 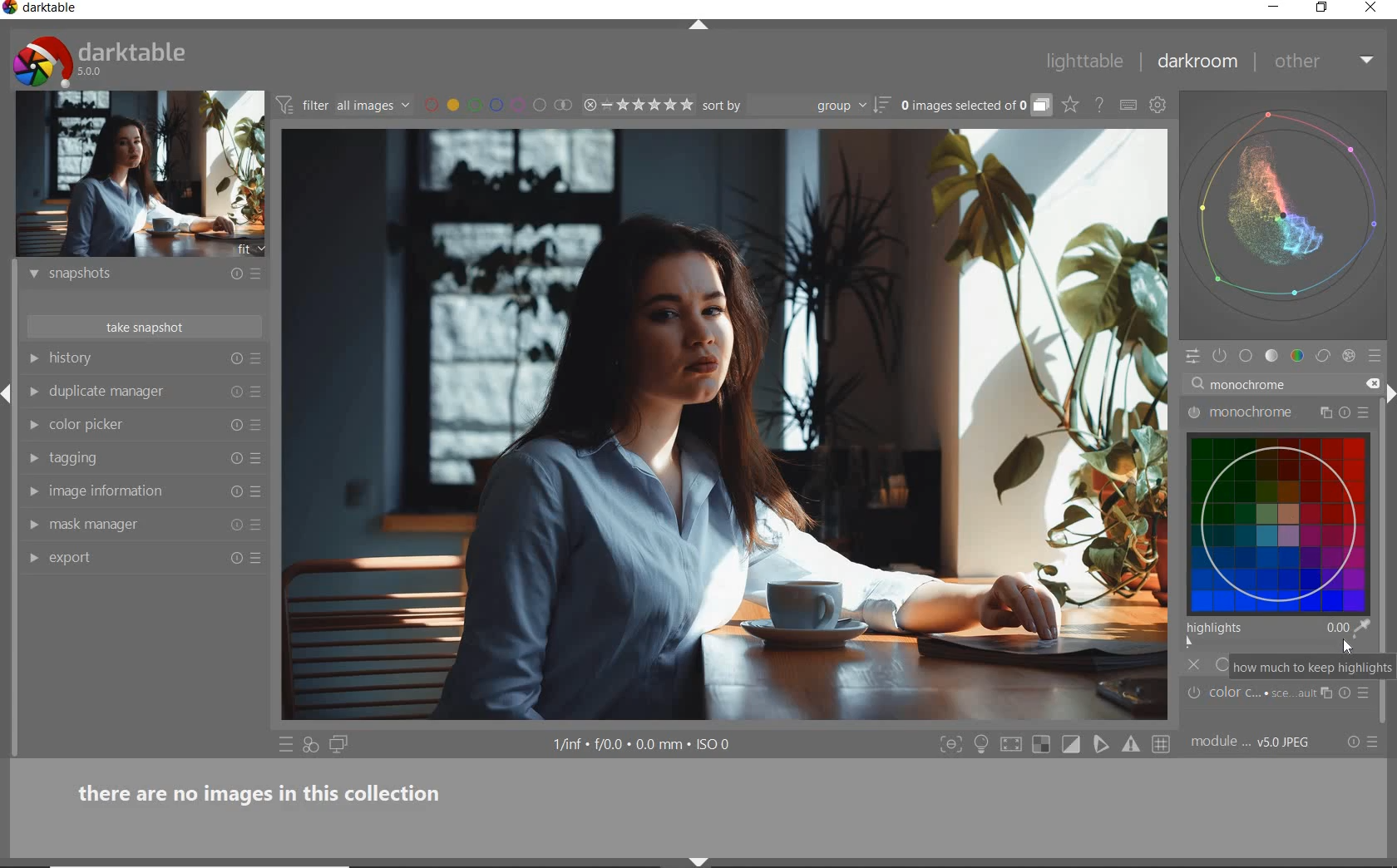 What do you see at coordinates (131, 277) in the screenshot?
I see `snapshots` at bounding box center [131, 277].